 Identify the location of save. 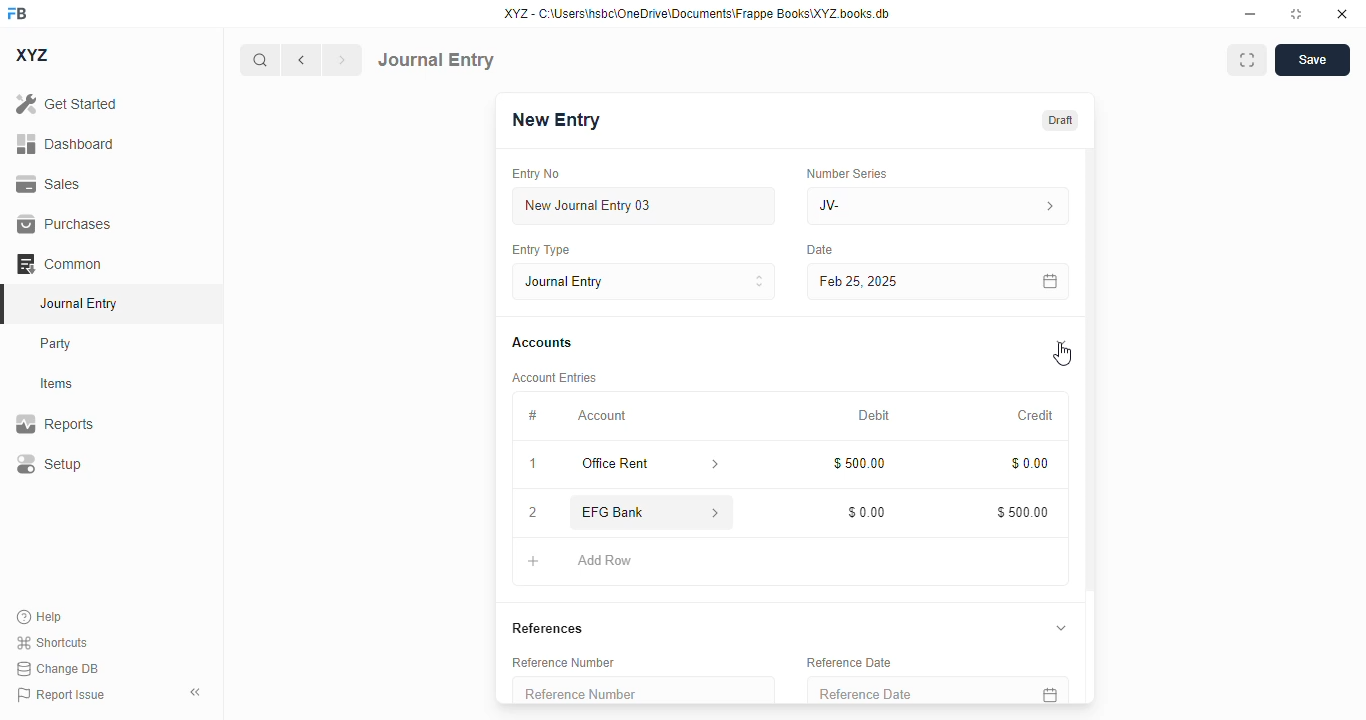
(1313, 60).